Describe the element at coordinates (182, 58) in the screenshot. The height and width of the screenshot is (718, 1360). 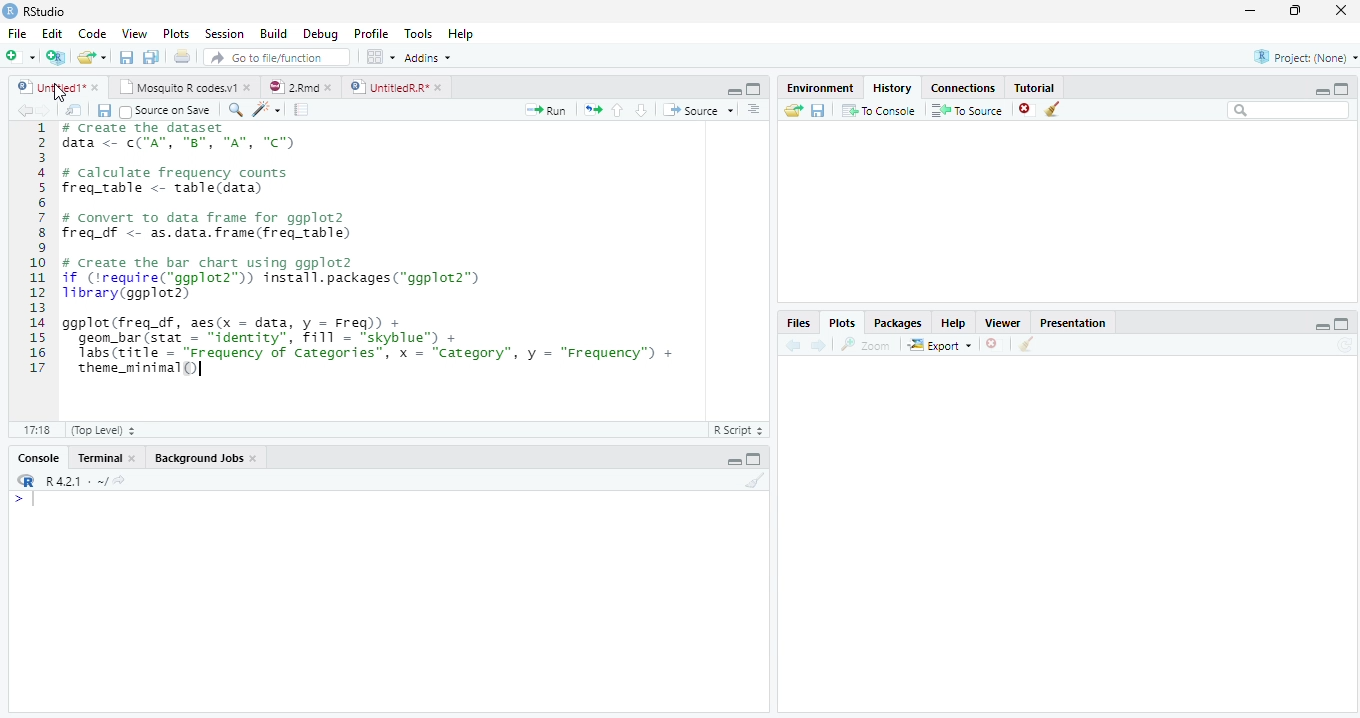
I see `Print` at that location.